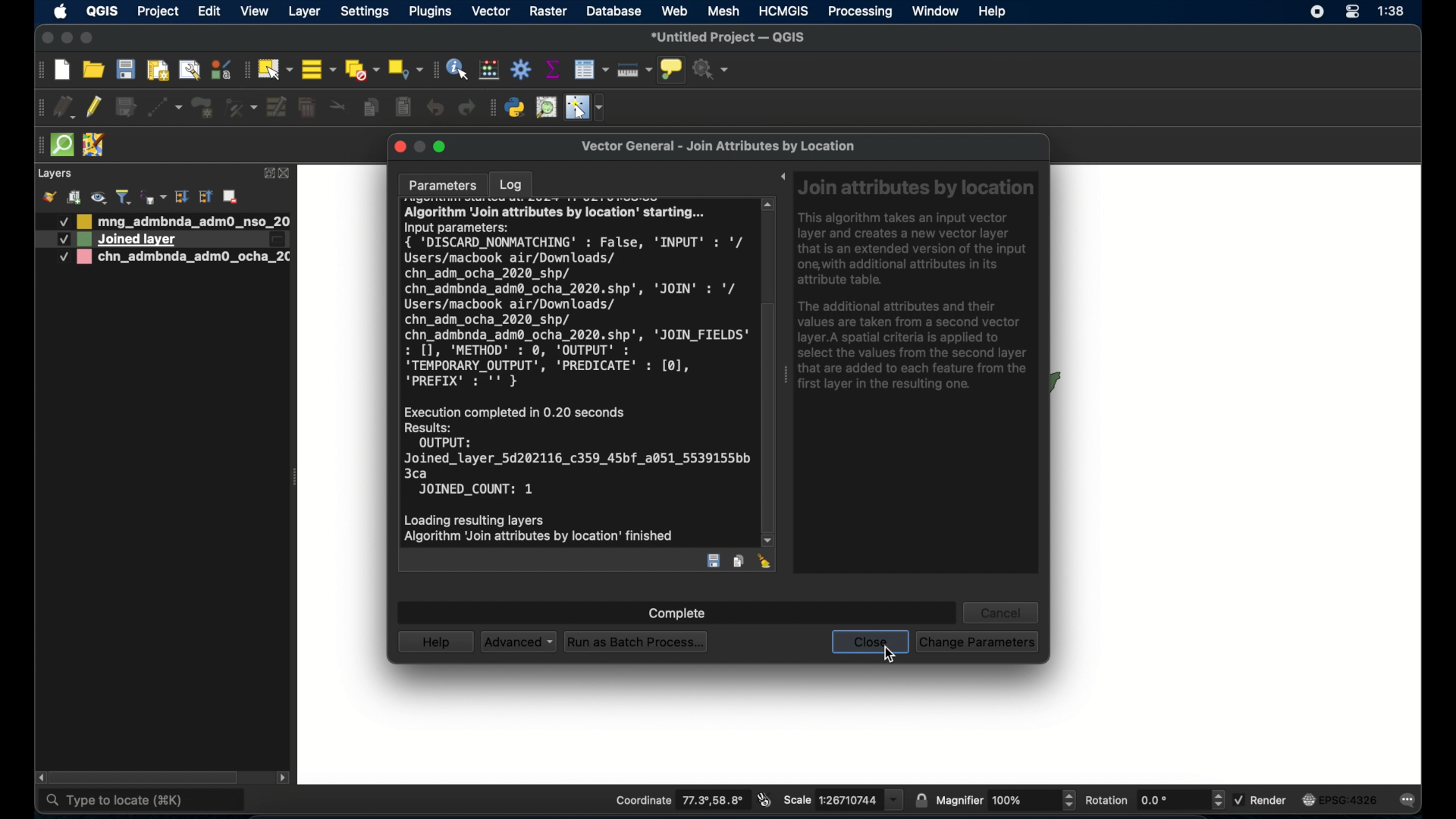 Image resolution: width=1456 pixels, height=819 pixels. I want to click on drag handle, so click(785, 375).